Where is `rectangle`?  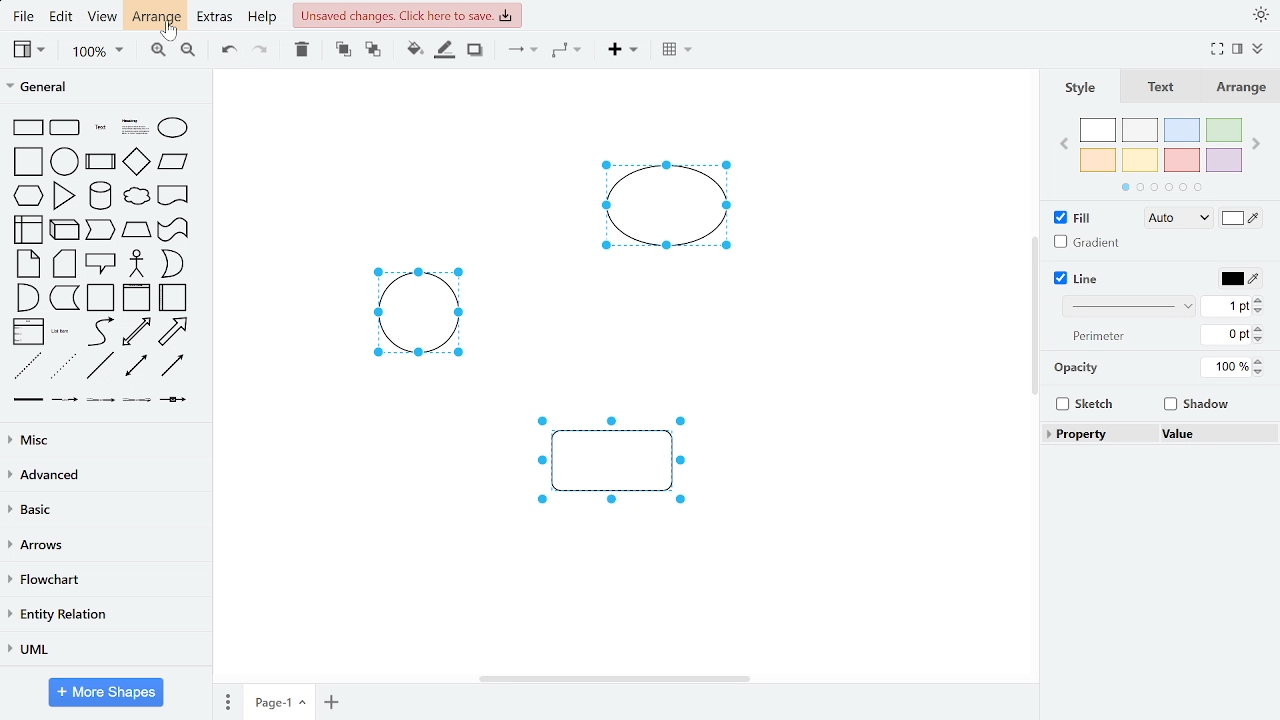 rectangle is located at coordinates (29, 127).